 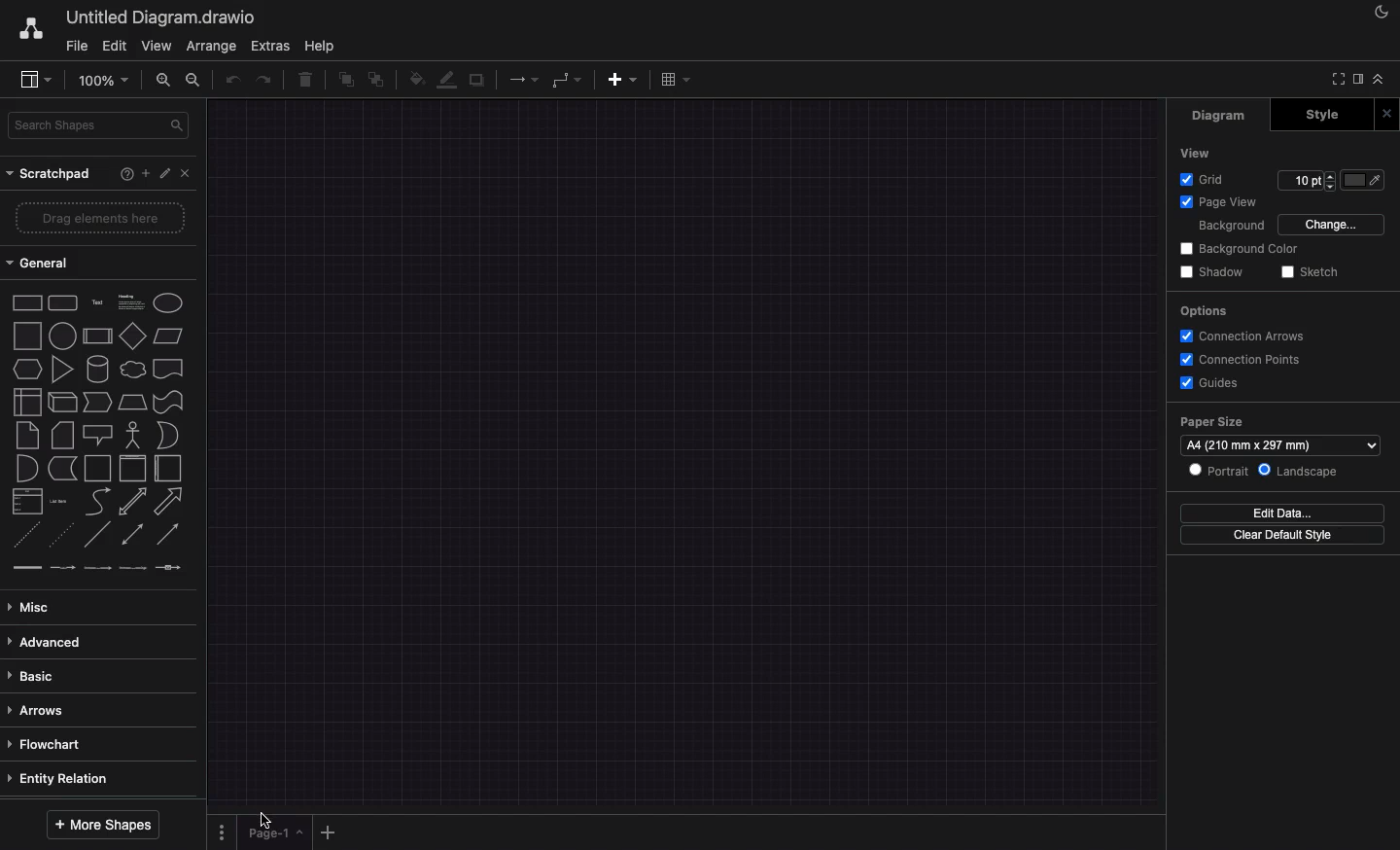 What do you see at coordinates (100, 218) in the screenshot?
I see `drag elements` at bounding box center [100, 218].